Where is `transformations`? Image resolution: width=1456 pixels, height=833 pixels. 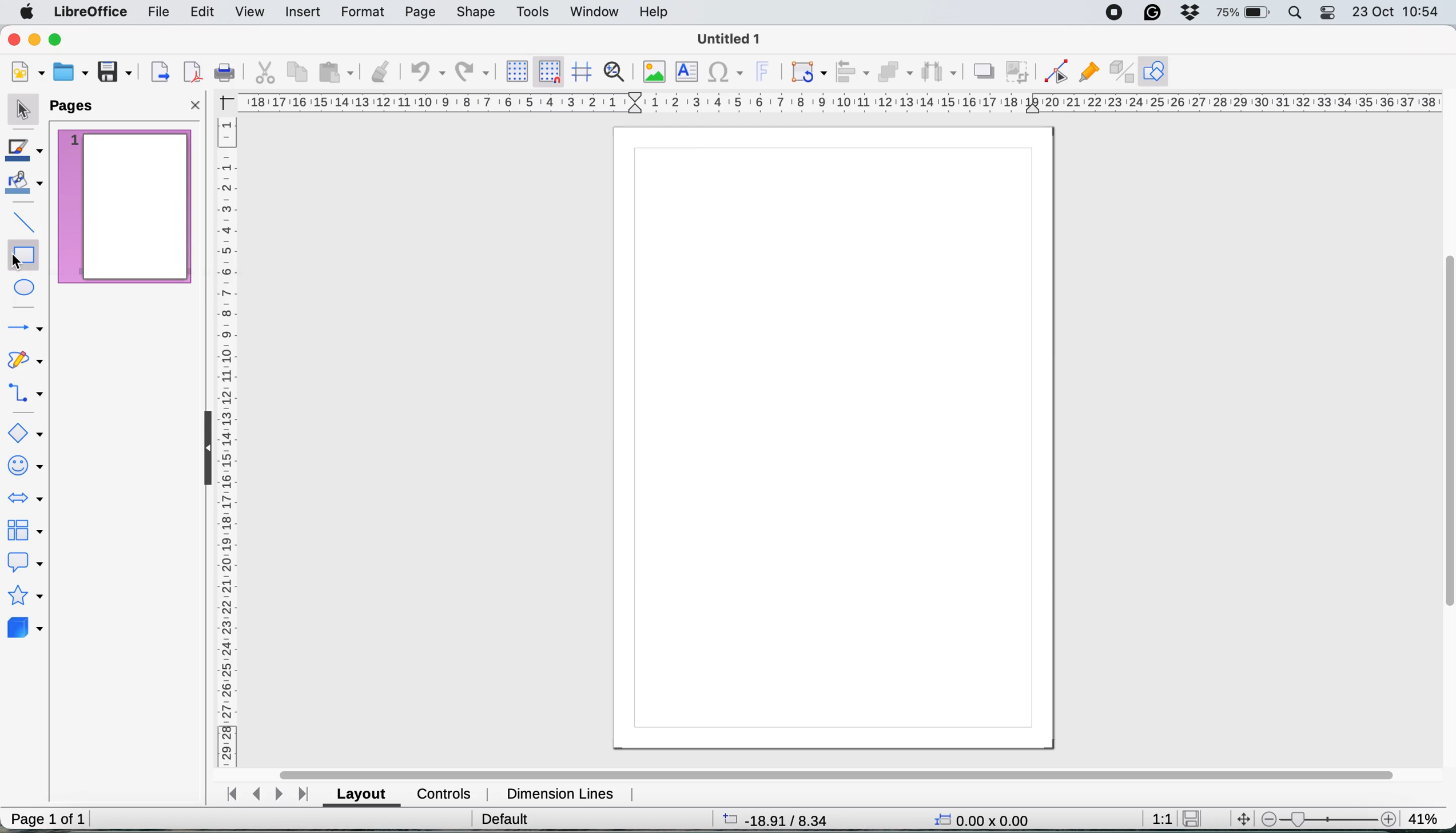
transformations is located at coordinates (807, 73).